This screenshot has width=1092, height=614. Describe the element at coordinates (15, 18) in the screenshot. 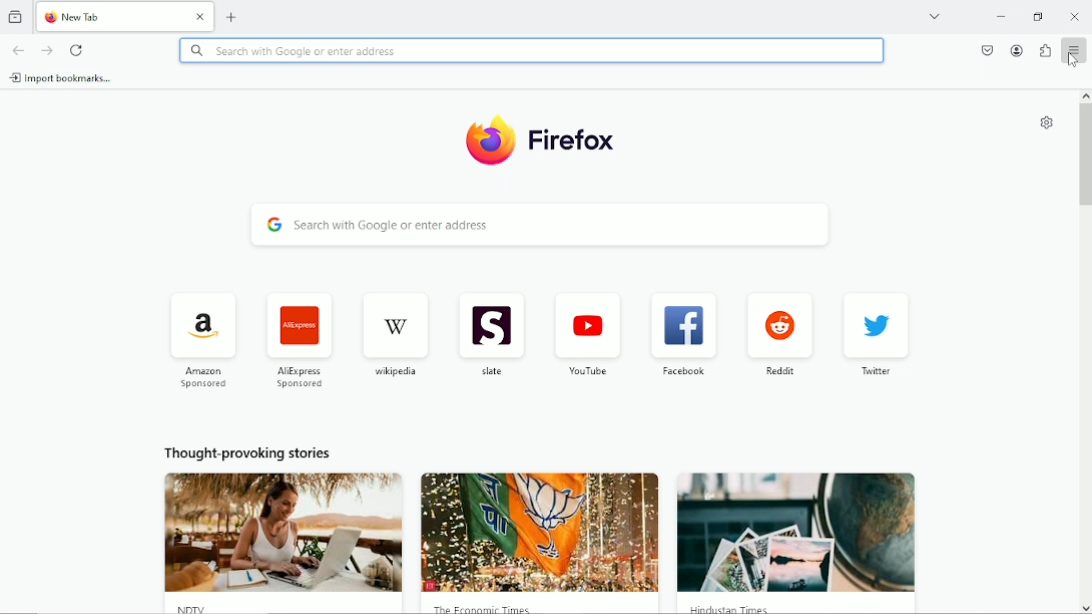

I see `view recent browsing` at that location.